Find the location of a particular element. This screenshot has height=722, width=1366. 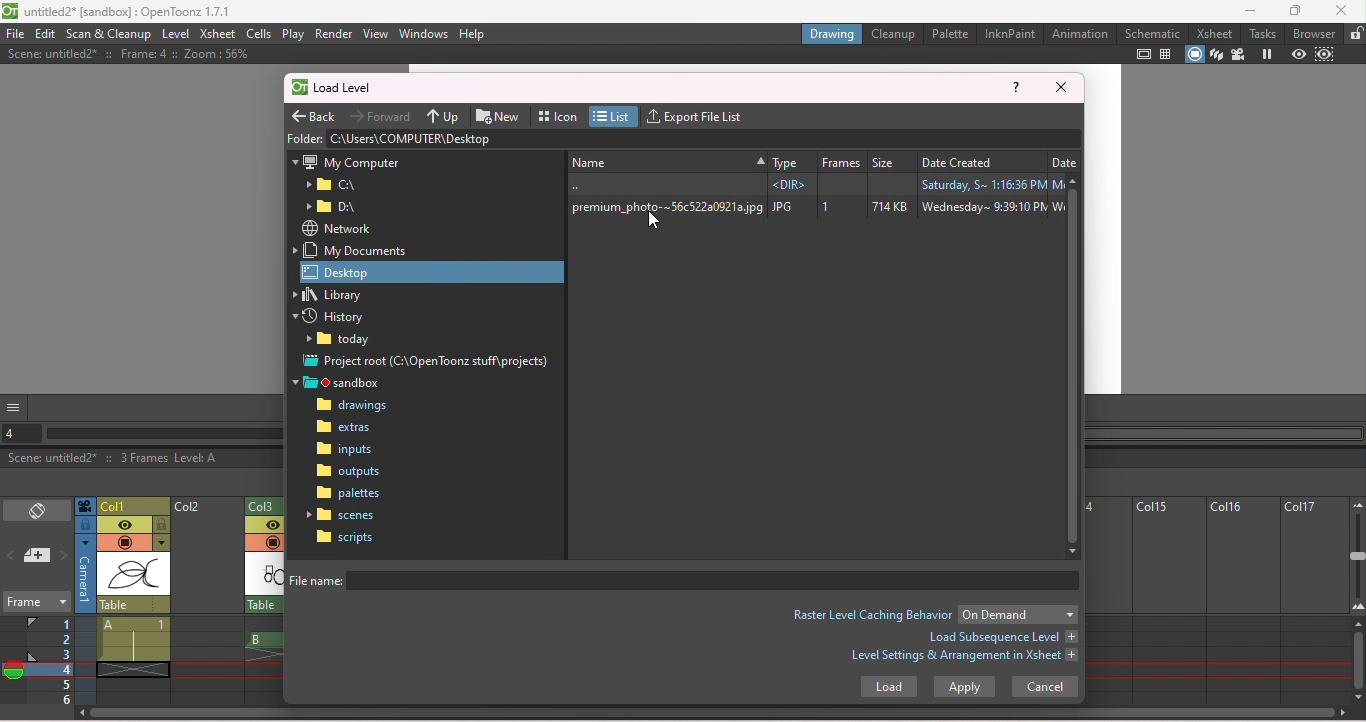

Next memo is located at coordinates (64, 557).